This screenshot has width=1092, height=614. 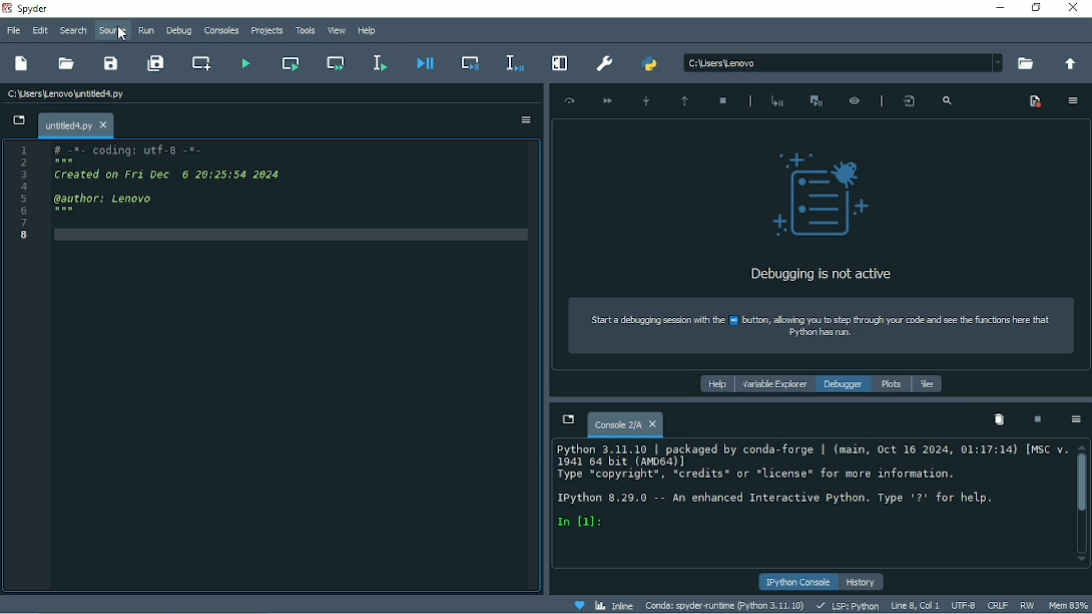 I want to click on IPython console, so click(x=797, y=582).